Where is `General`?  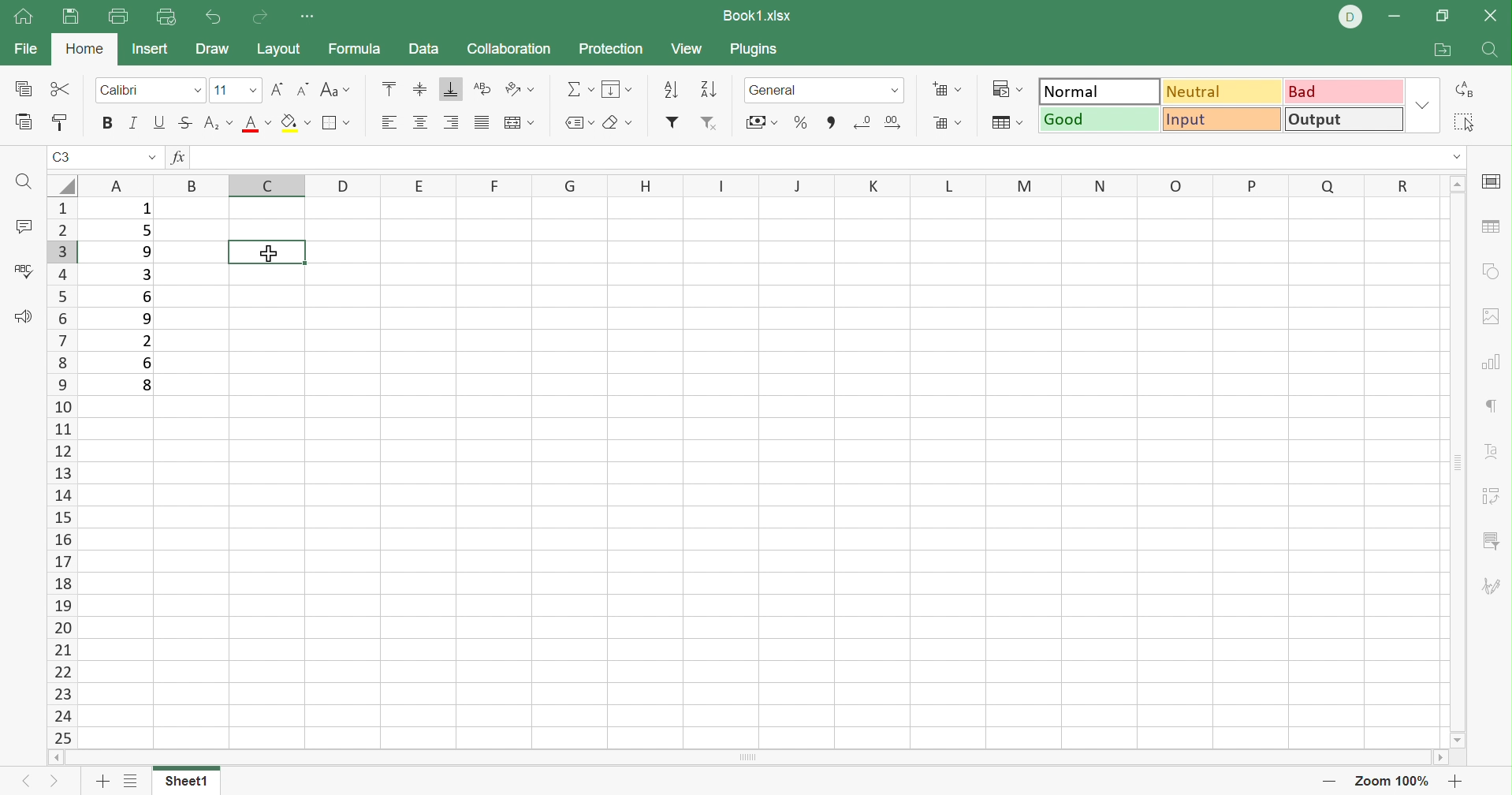 General is located at coordinates (776, 90).